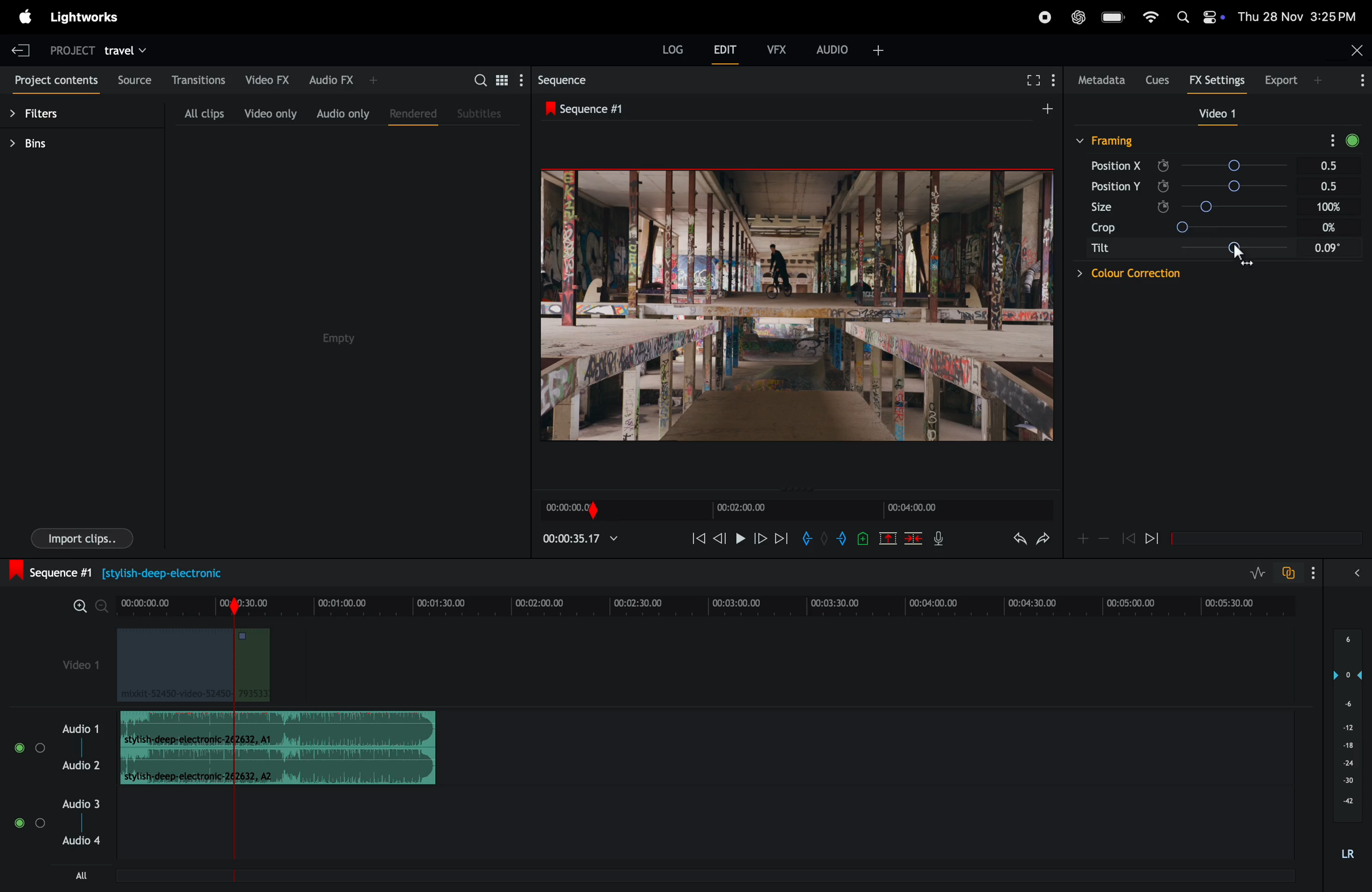 The height and width of the screenshot is (892, 1372). Describe the element at coordinates (55, 78) in the screenshot. I see `projects contents` at that location.